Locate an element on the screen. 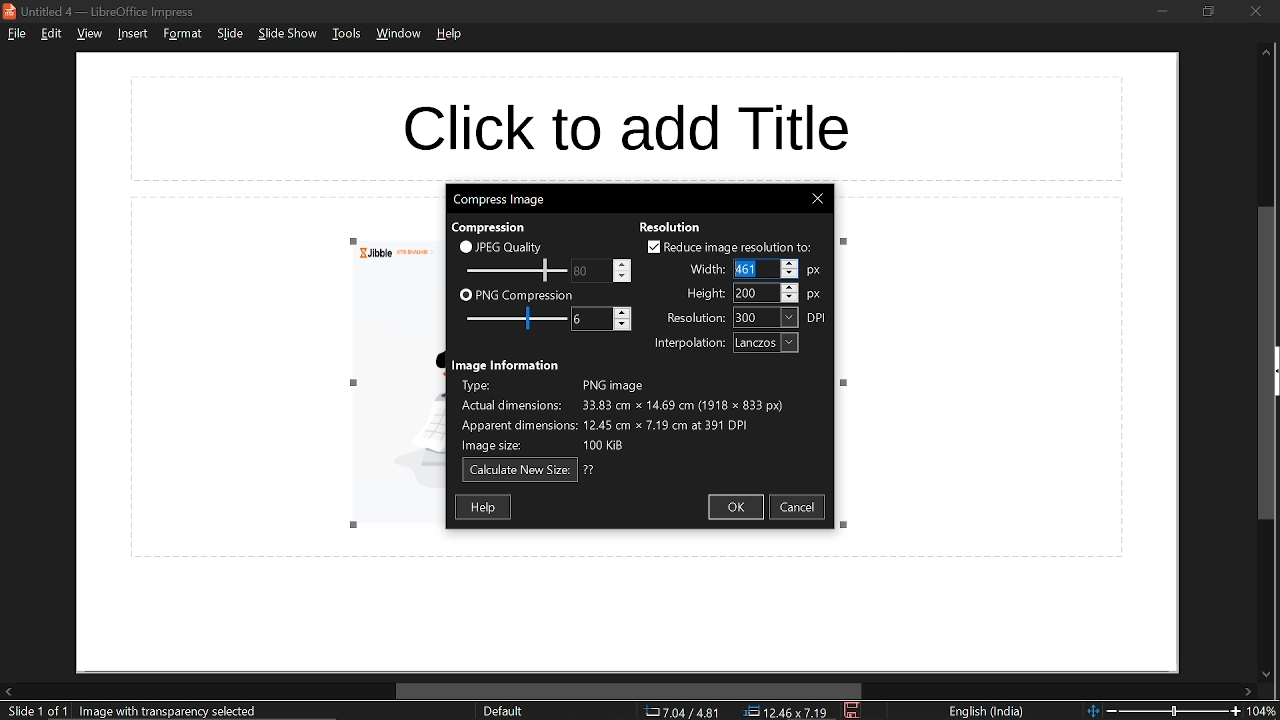  save is located at coordinates (852, 711).